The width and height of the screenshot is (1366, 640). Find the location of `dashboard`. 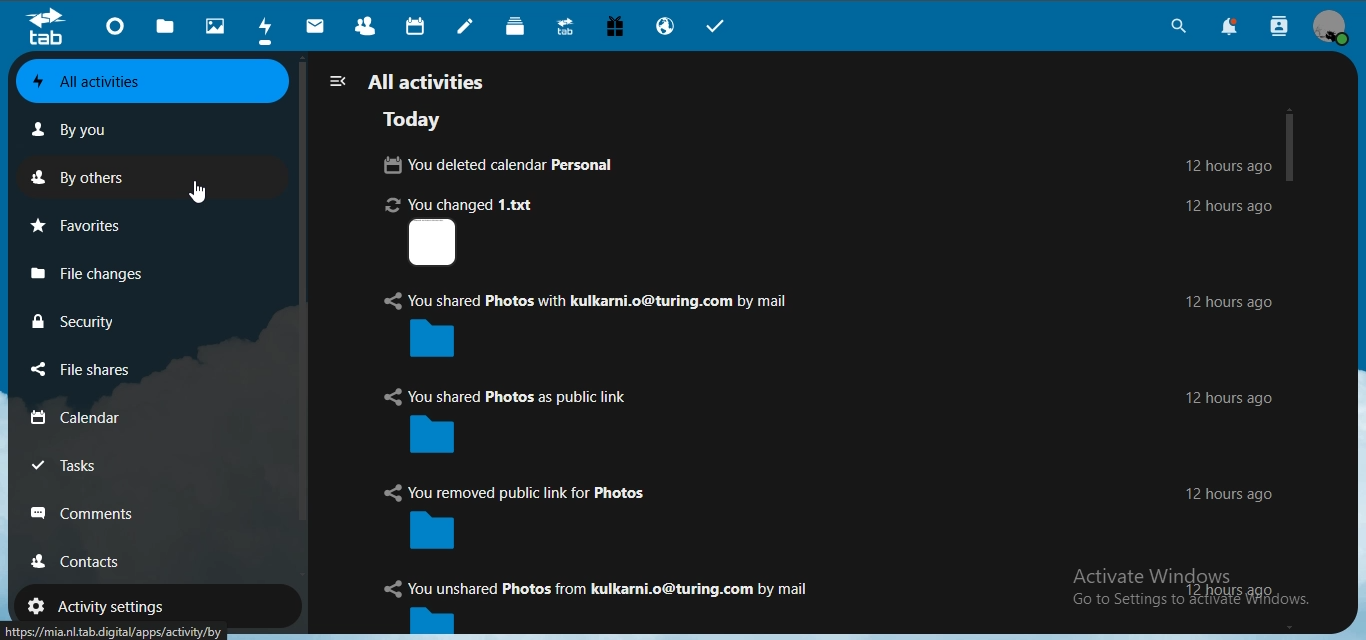

dashboard is located at coordinates (113, 24).